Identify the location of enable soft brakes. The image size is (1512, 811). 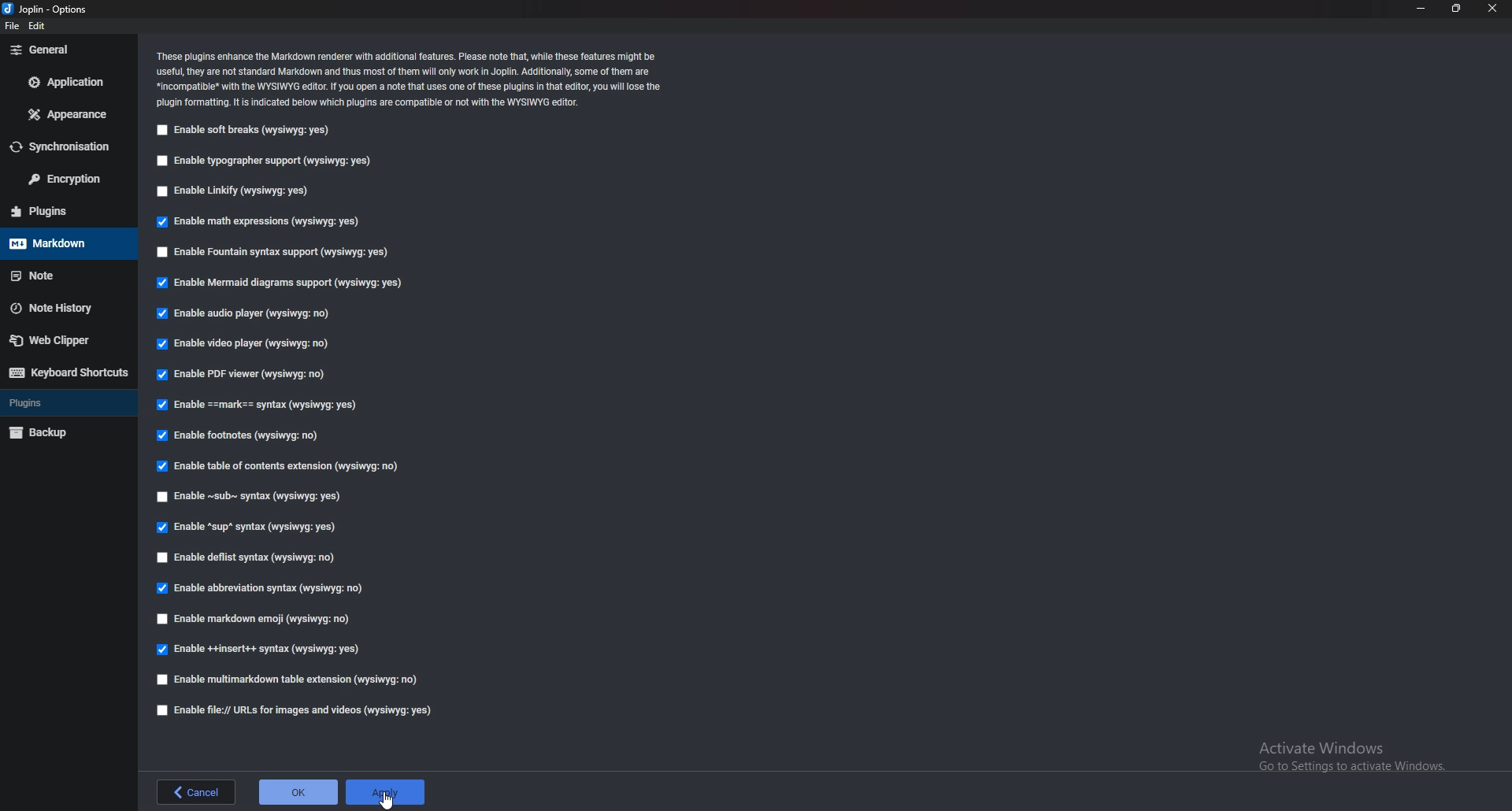
(246, 129).